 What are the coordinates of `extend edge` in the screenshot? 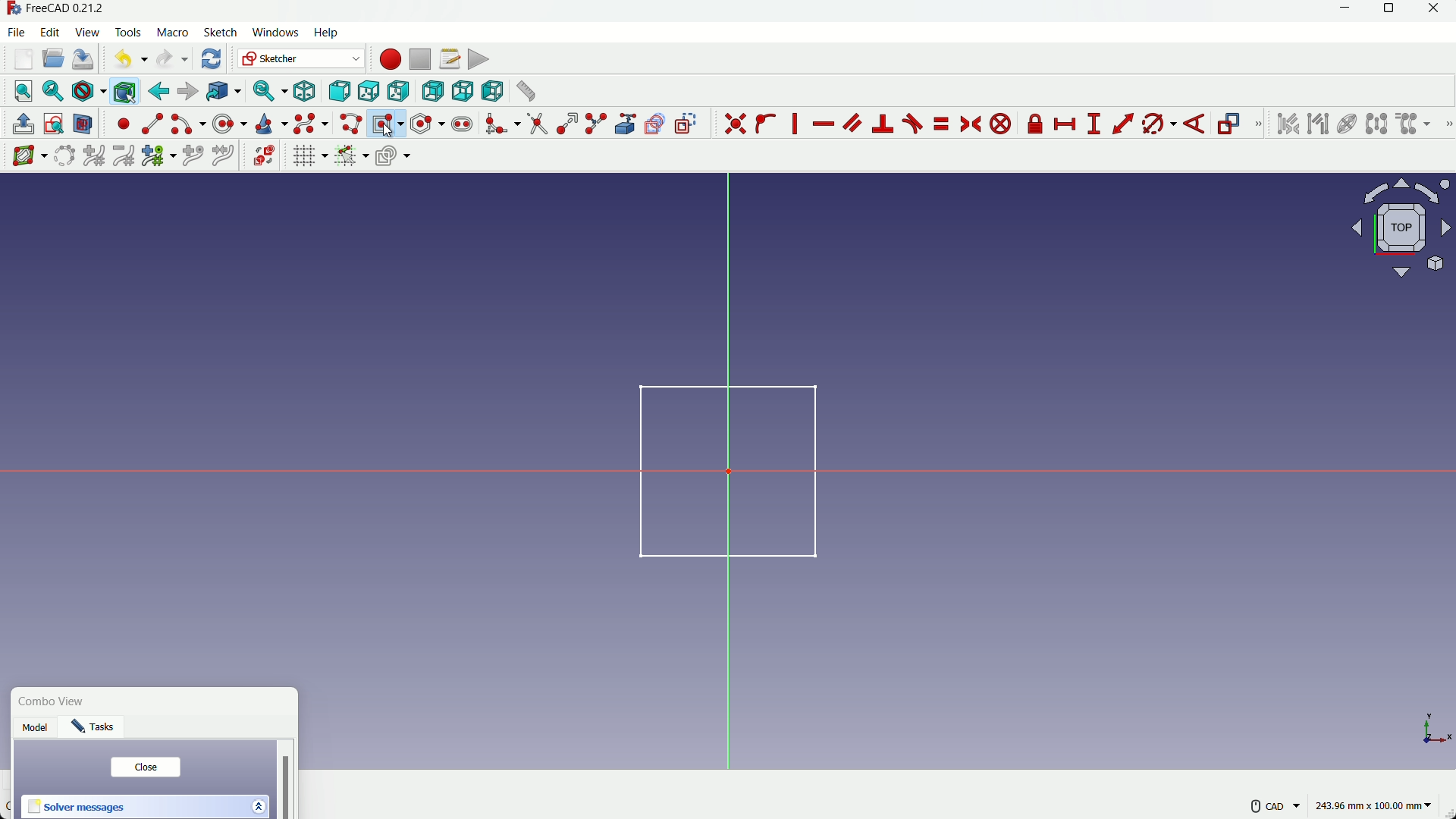 It's located at (567, 124).